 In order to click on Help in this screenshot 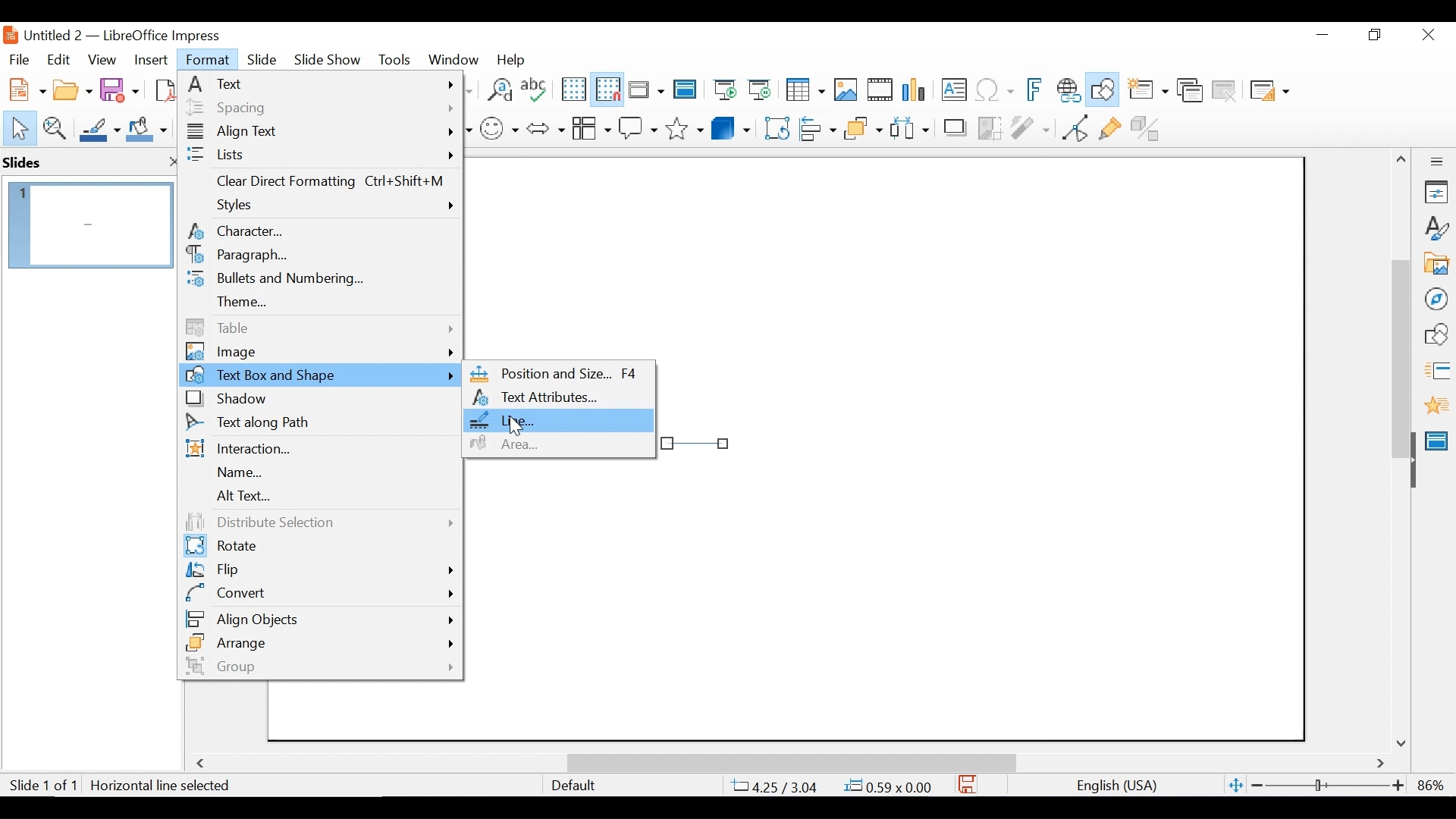, I will do `click(515, 59)`.